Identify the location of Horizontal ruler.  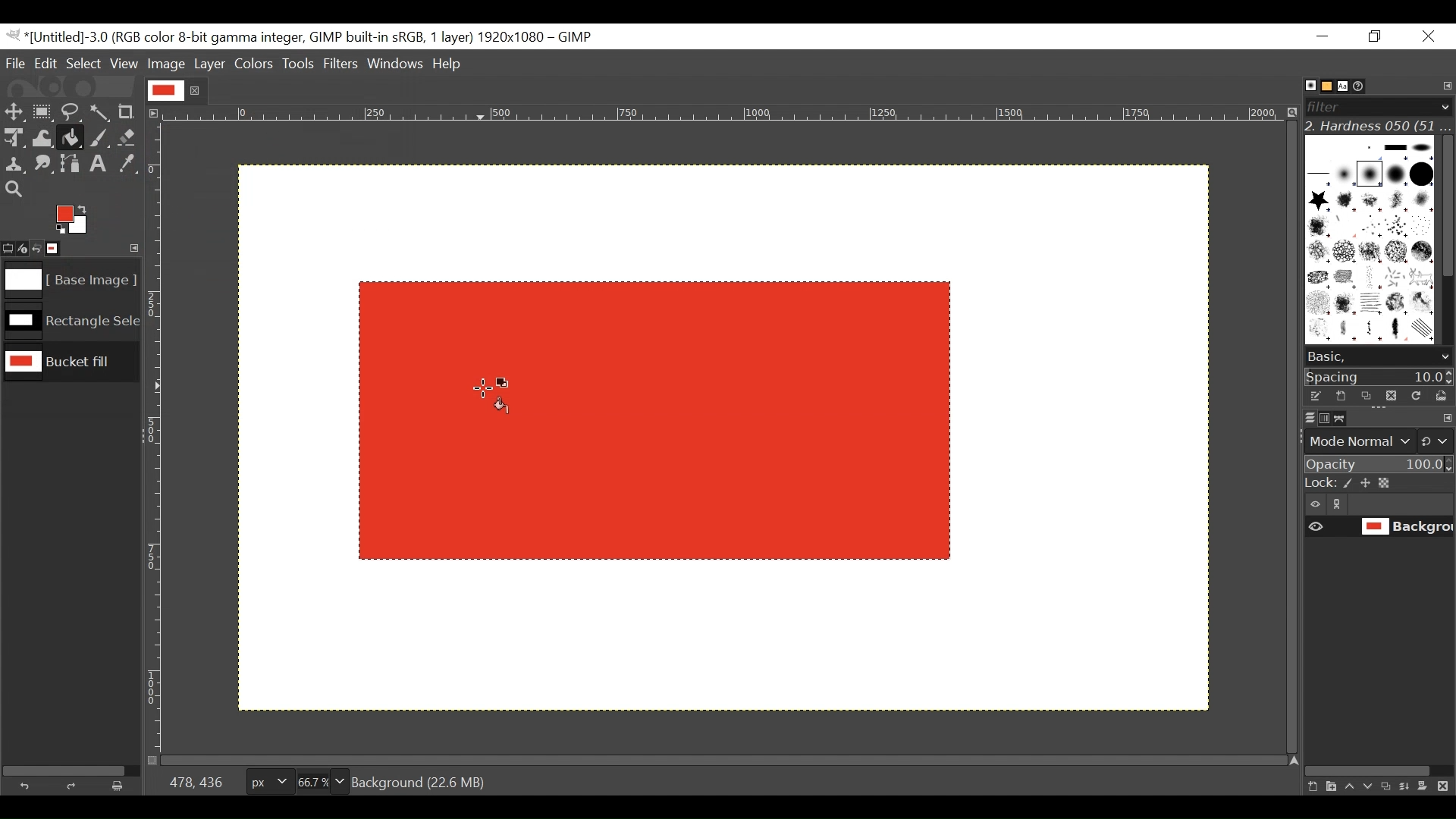
(725, 116).